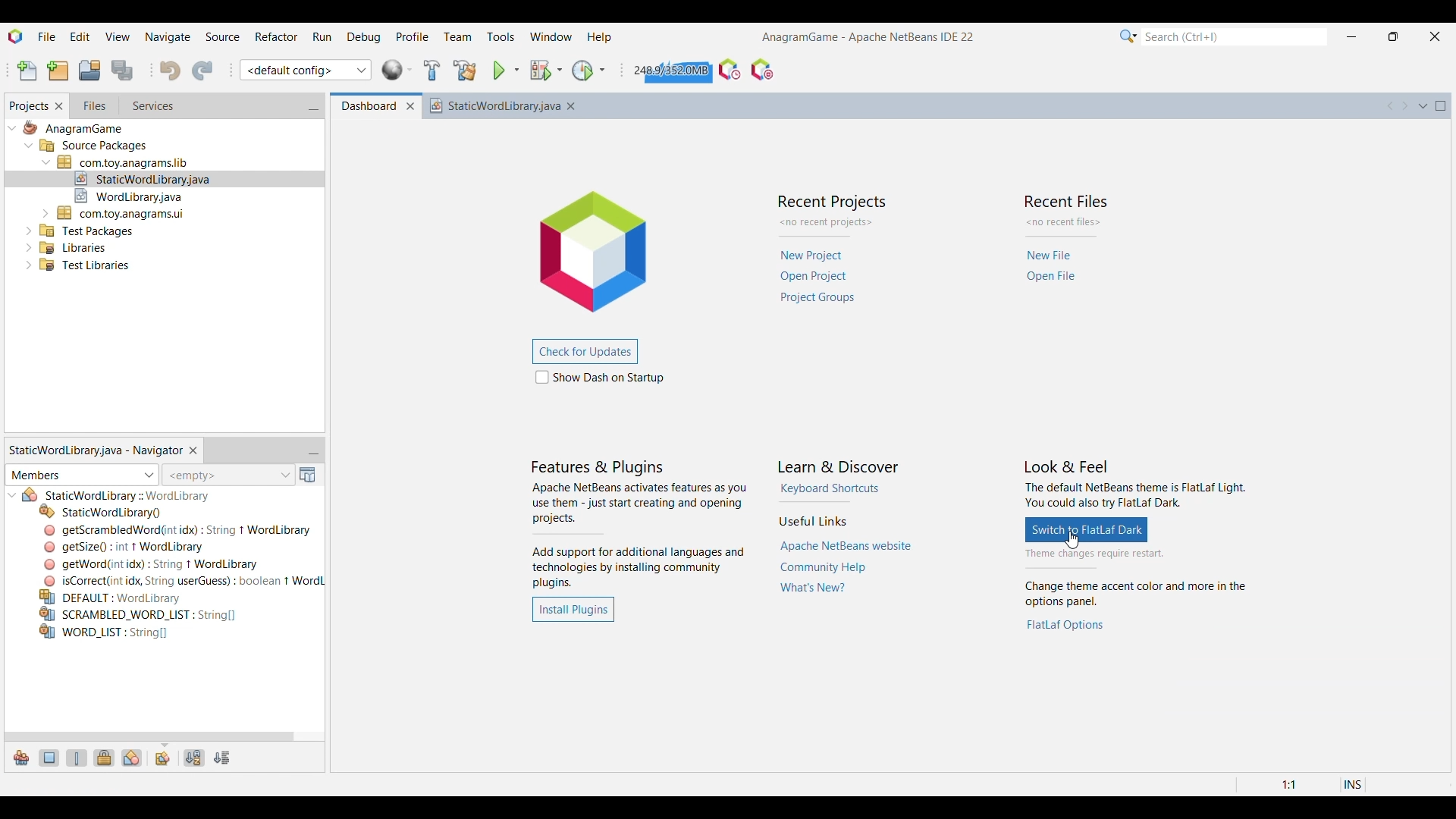  What do you see at coordinates (413, 36) in the screenshot?
I see `Profile menu` at bounding box center [413, 36].